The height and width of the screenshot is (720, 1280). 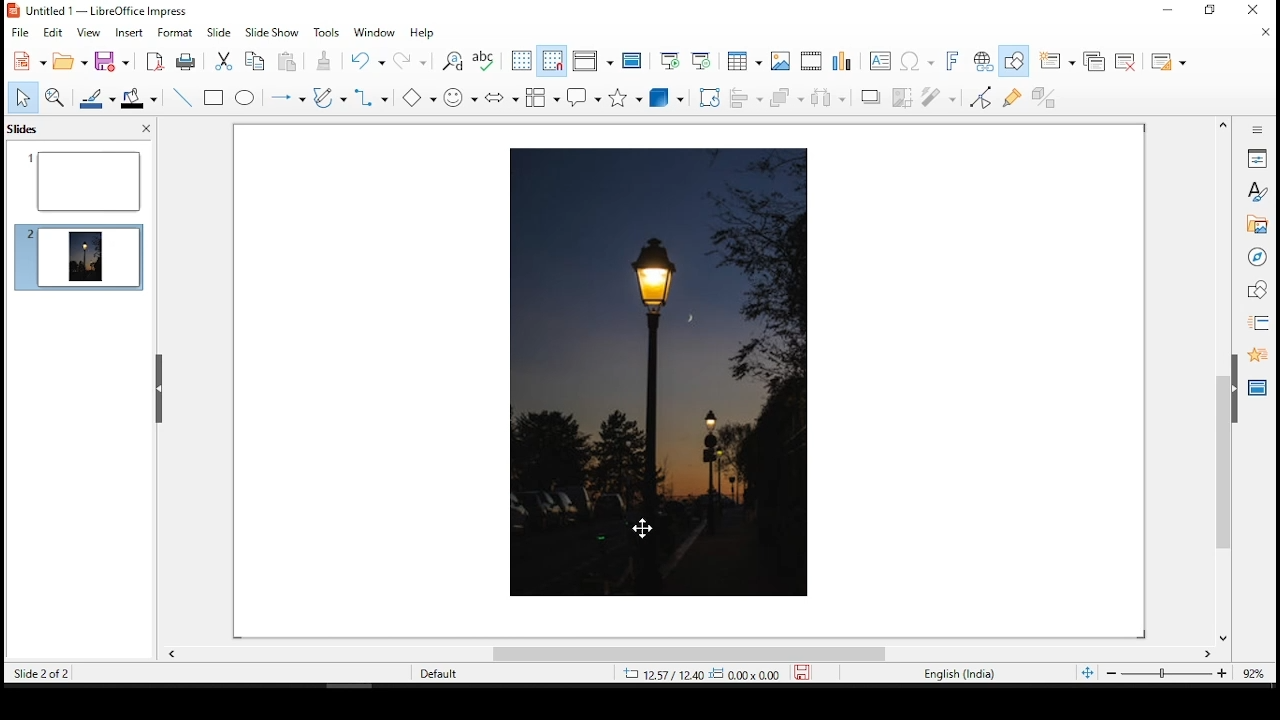 I want to click on duplicate slide, so click(x=1096, y=63).